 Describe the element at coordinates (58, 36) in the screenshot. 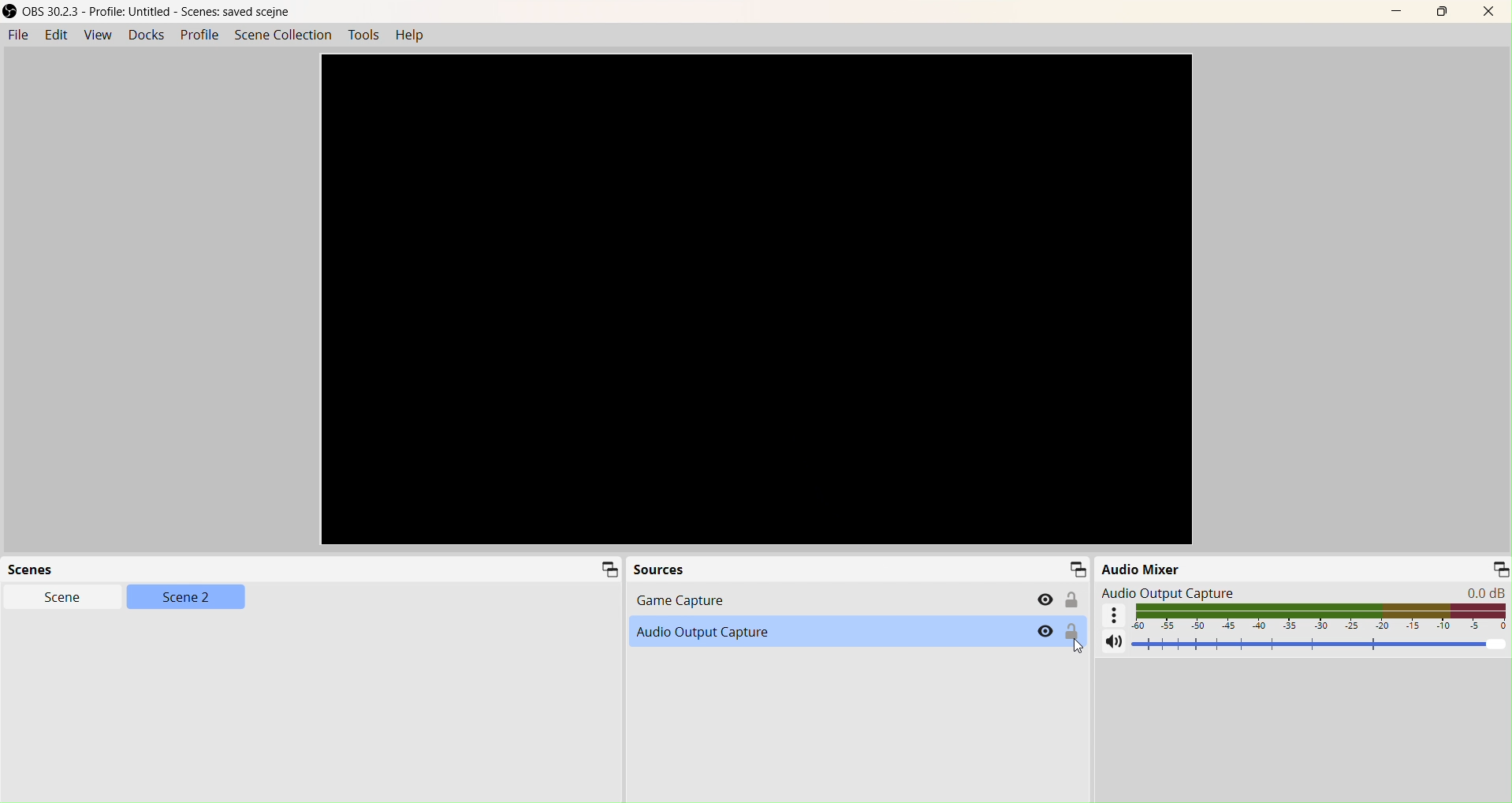

I see `Edit` at that location.